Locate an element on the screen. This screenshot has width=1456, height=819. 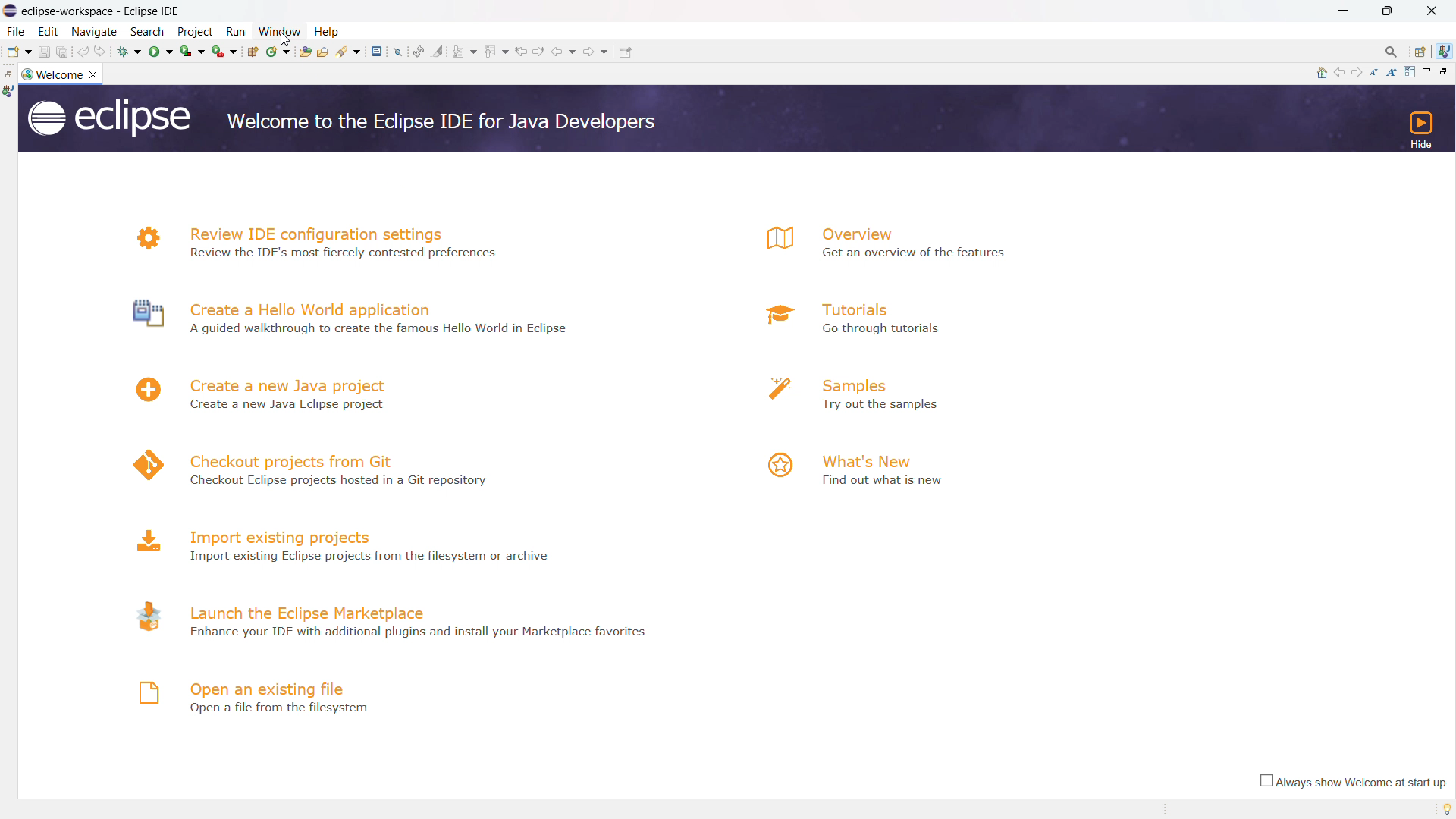
java is located at coordinates (9, 92).